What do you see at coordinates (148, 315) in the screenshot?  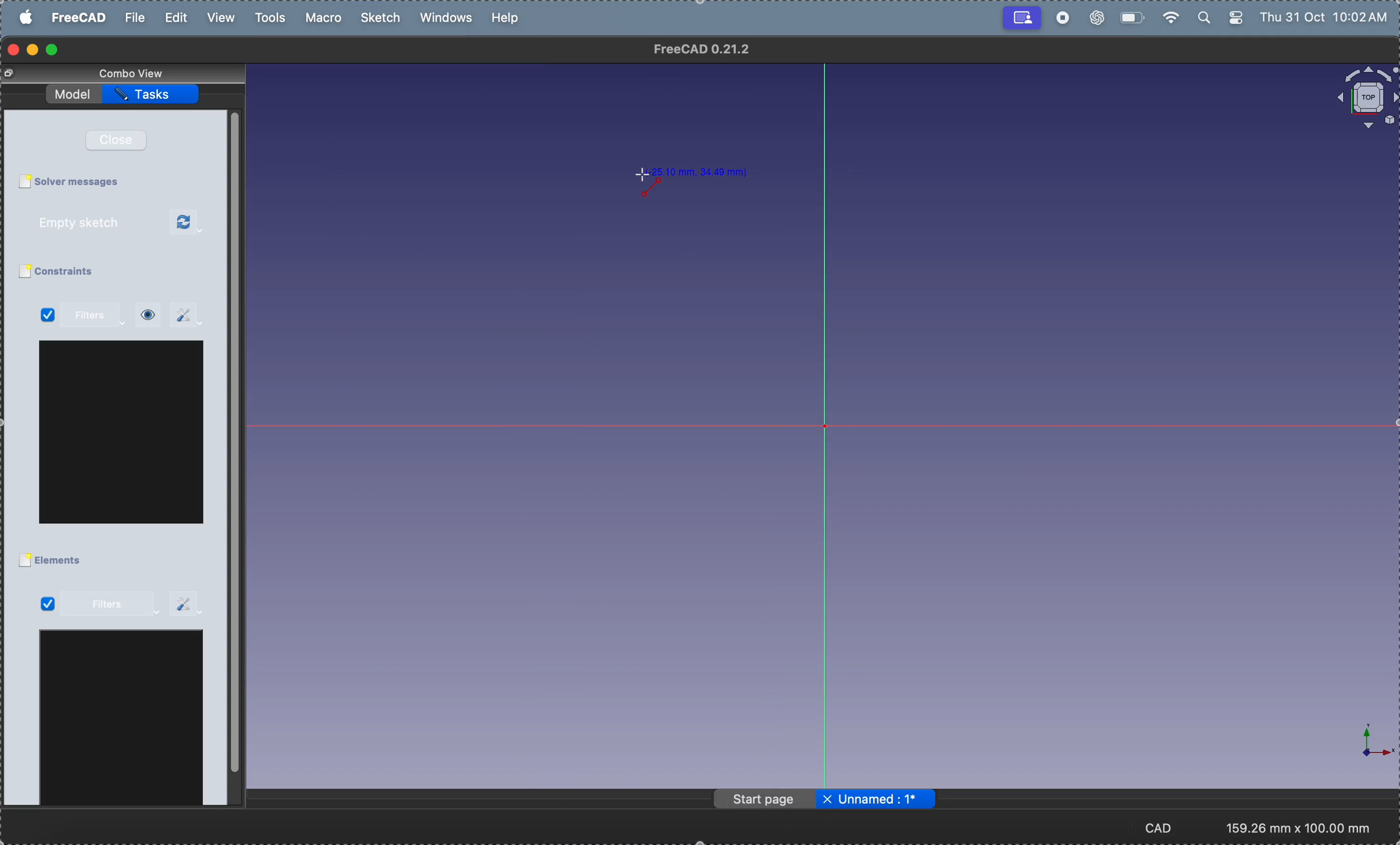 I see `view` at bounding box center [148, 315].